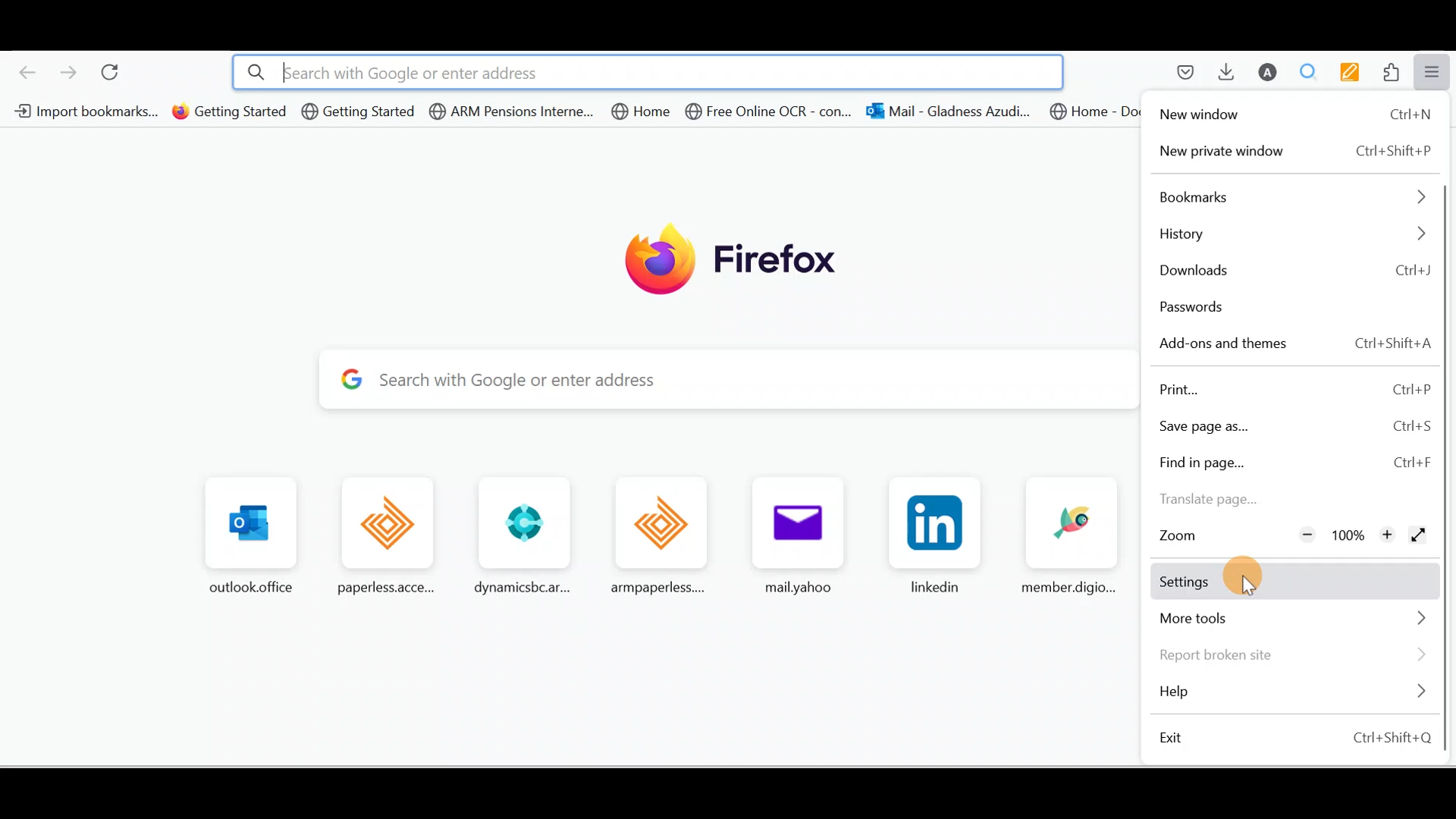  What do you see at coordinates (656, 538) in the screenshot?
I see `armpaperless....` at bounding box center [656, 538].